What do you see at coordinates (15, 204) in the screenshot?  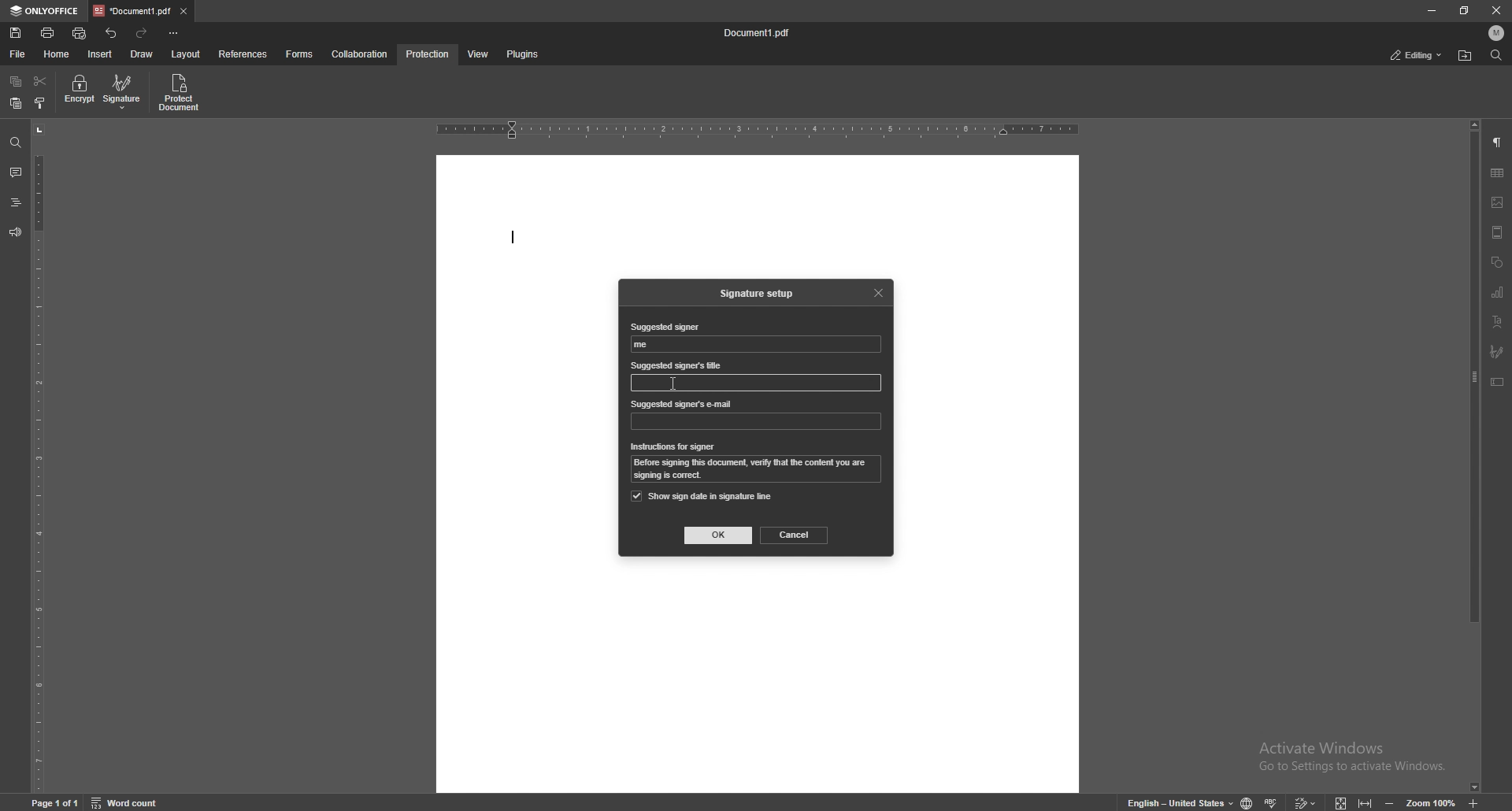 I see `heading` at bounding box center [15, 204].